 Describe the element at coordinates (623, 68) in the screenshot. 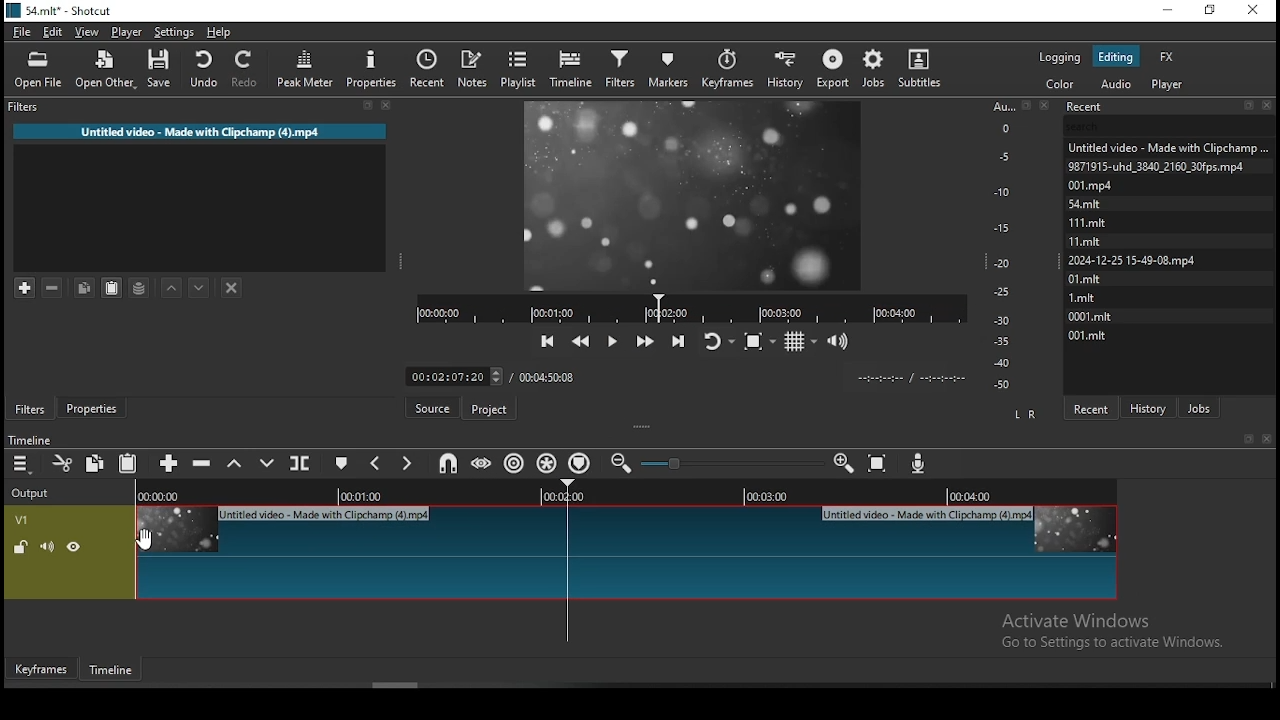

I see `filters` at that location.